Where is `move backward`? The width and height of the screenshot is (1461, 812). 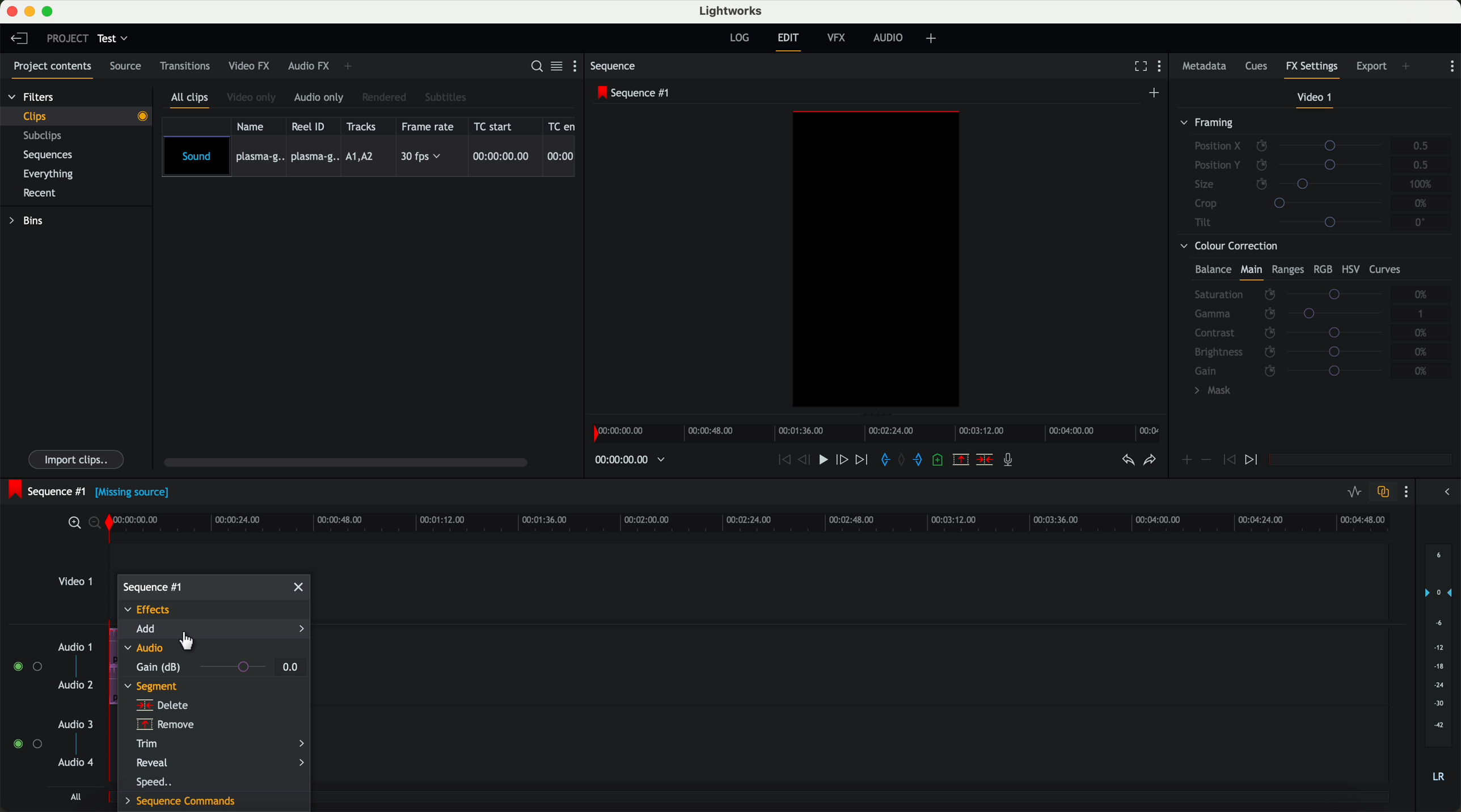
move backward is located at coordinates (782, 460).